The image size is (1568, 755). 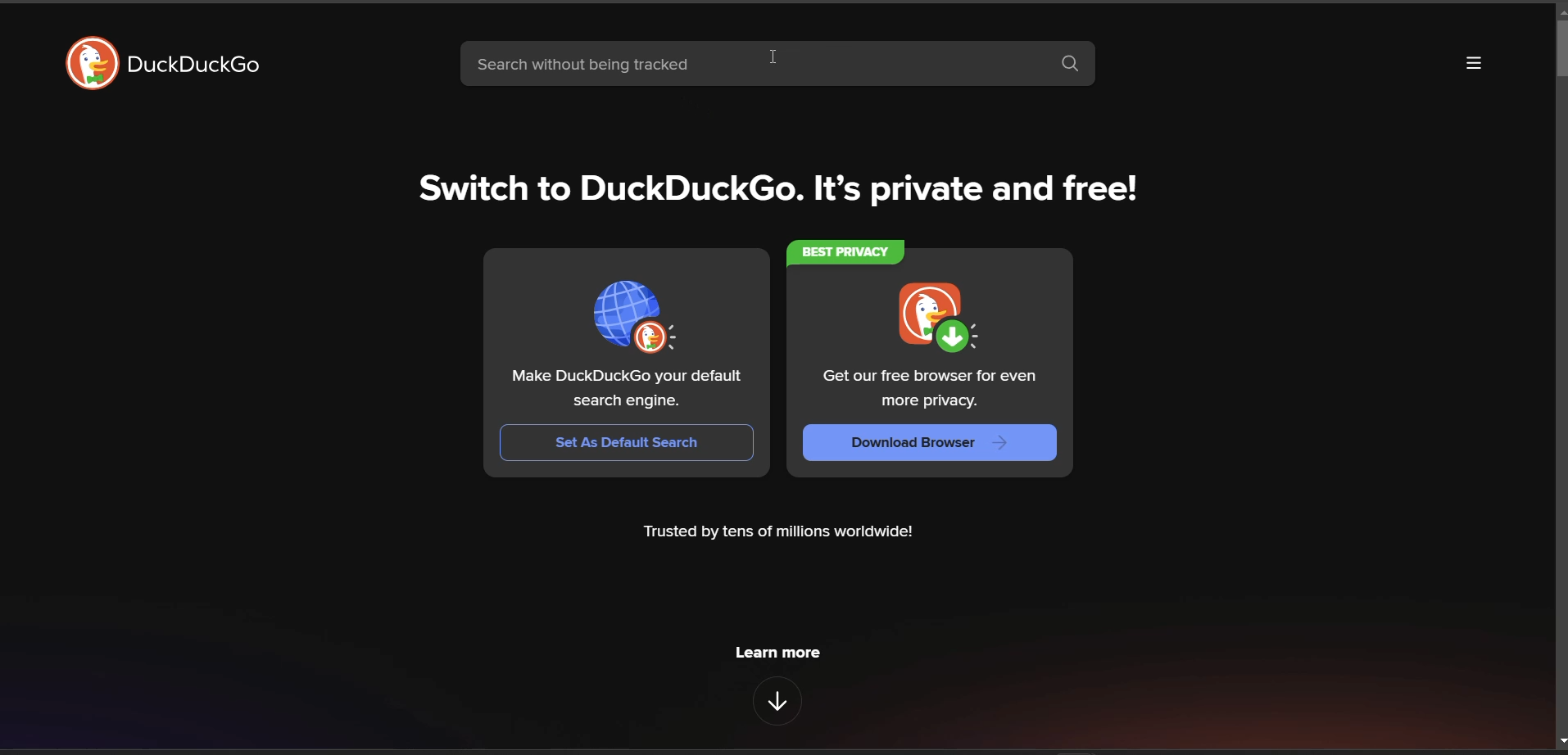 I want to click on logo, so click(x=90, y=62).